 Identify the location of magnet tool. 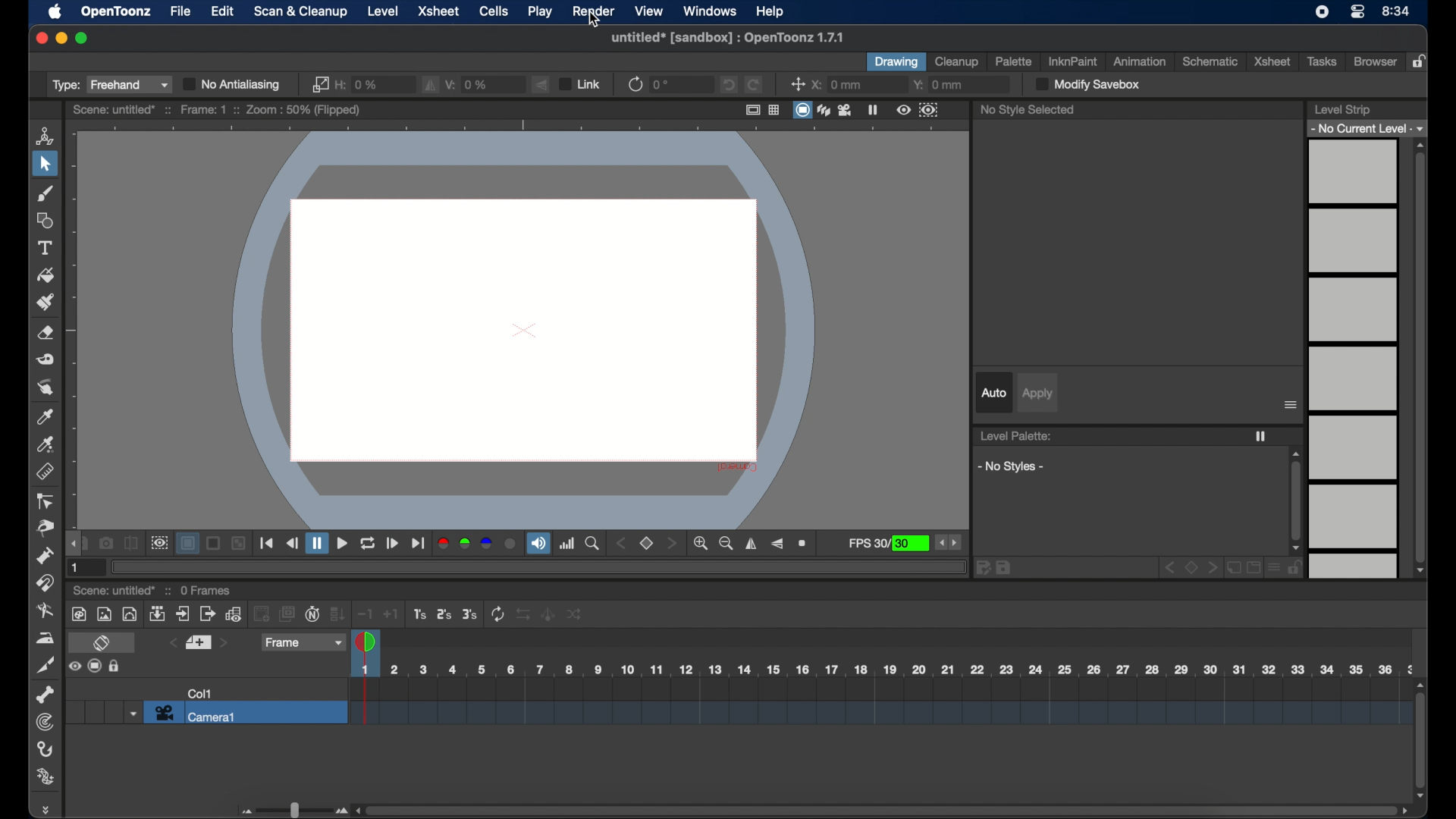
(46, 582).